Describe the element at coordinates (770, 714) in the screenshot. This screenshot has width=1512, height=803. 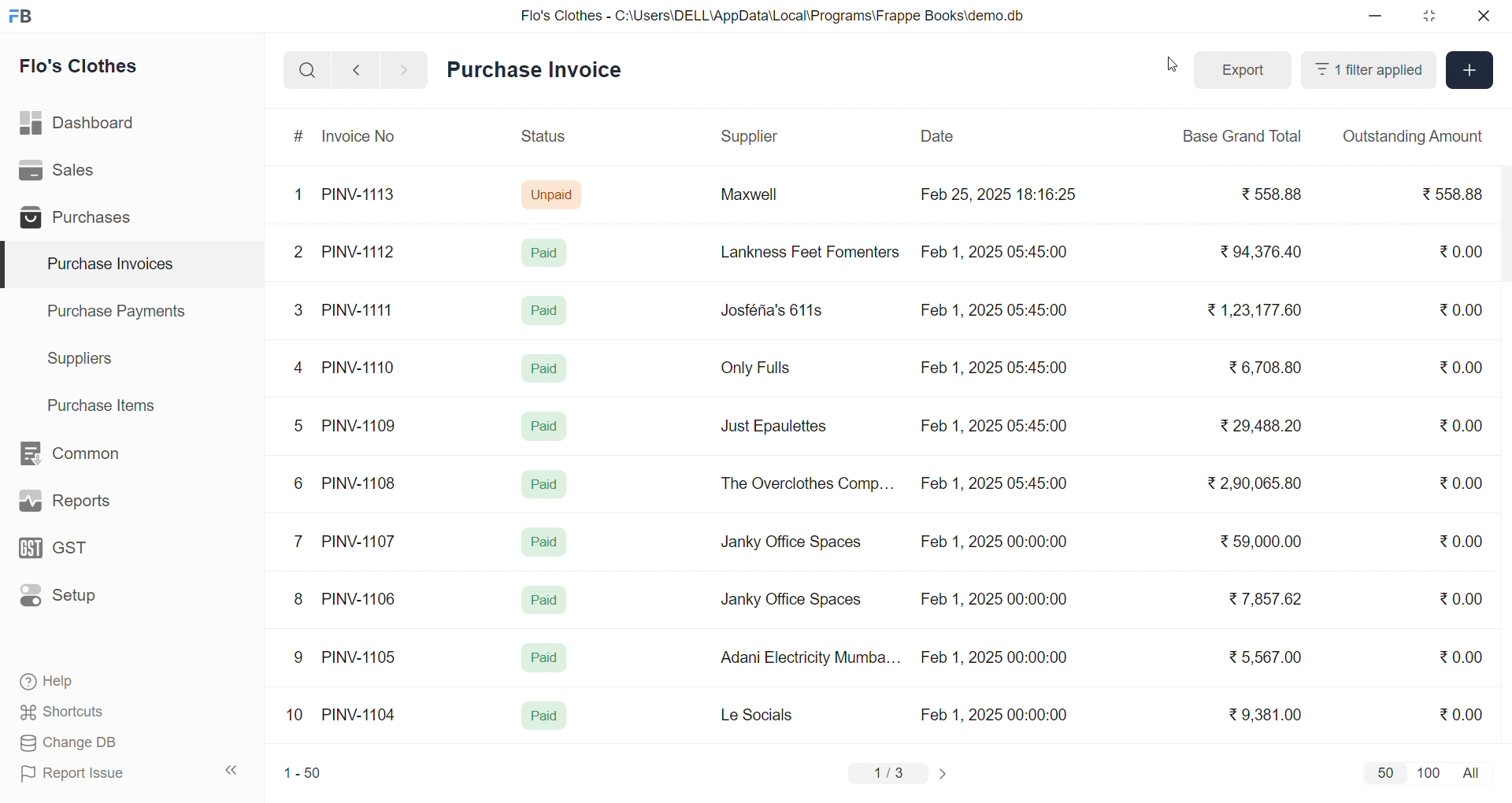
I see `Le Socials` at that location.